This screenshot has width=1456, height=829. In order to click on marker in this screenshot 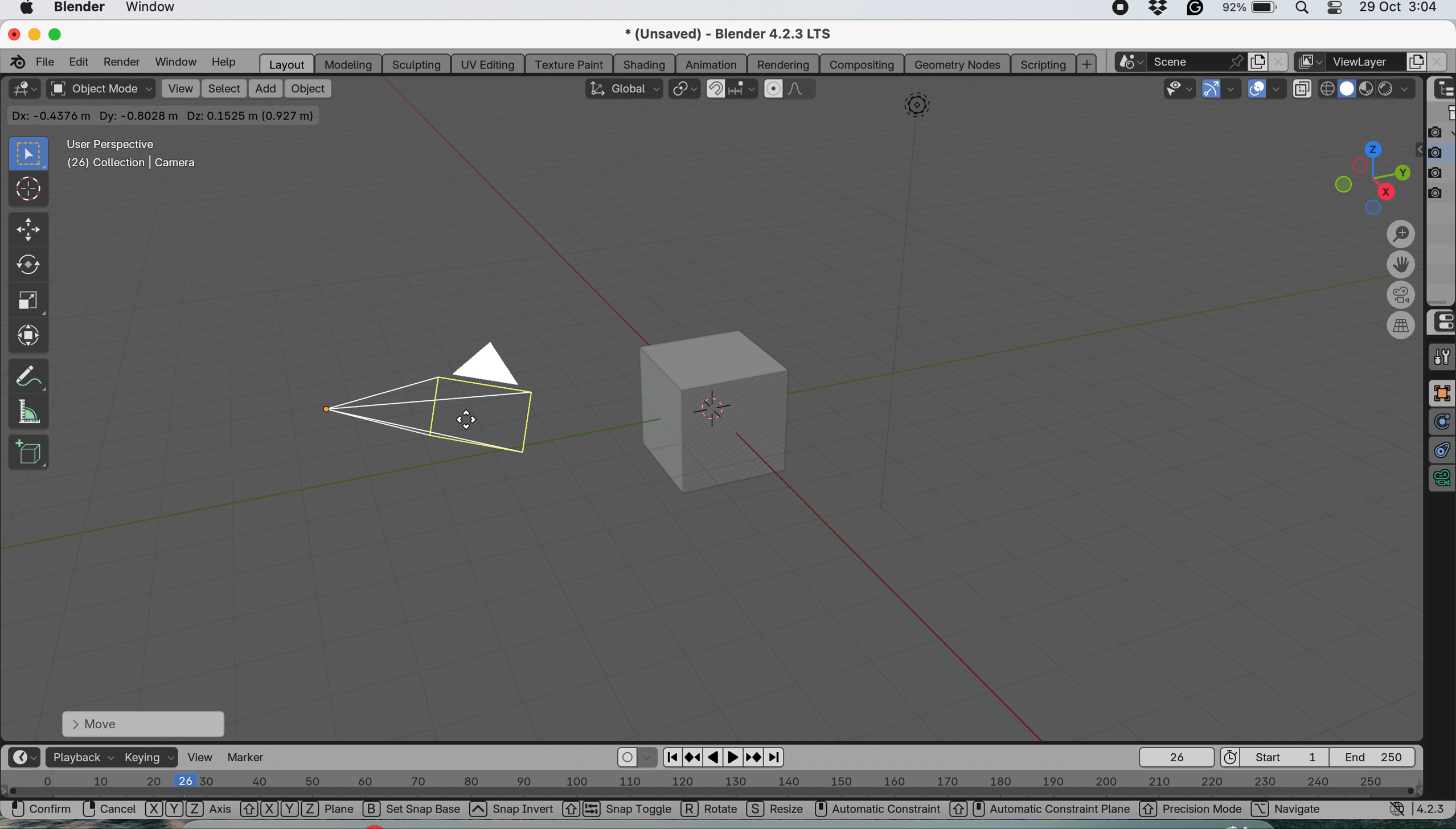, I will do `click(252, 757)`.